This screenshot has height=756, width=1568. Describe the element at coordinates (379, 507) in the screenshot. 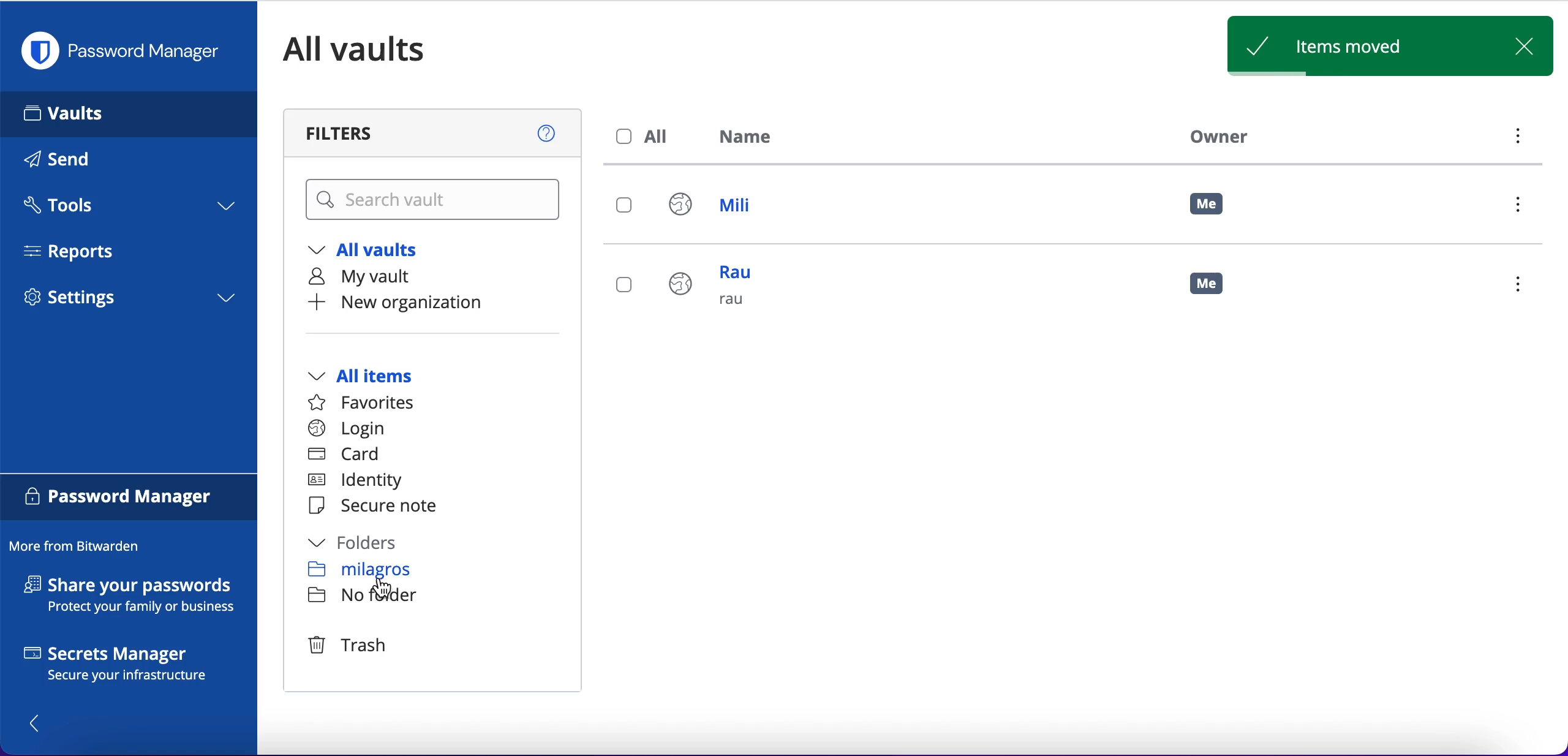

I see `secure note` at that location.